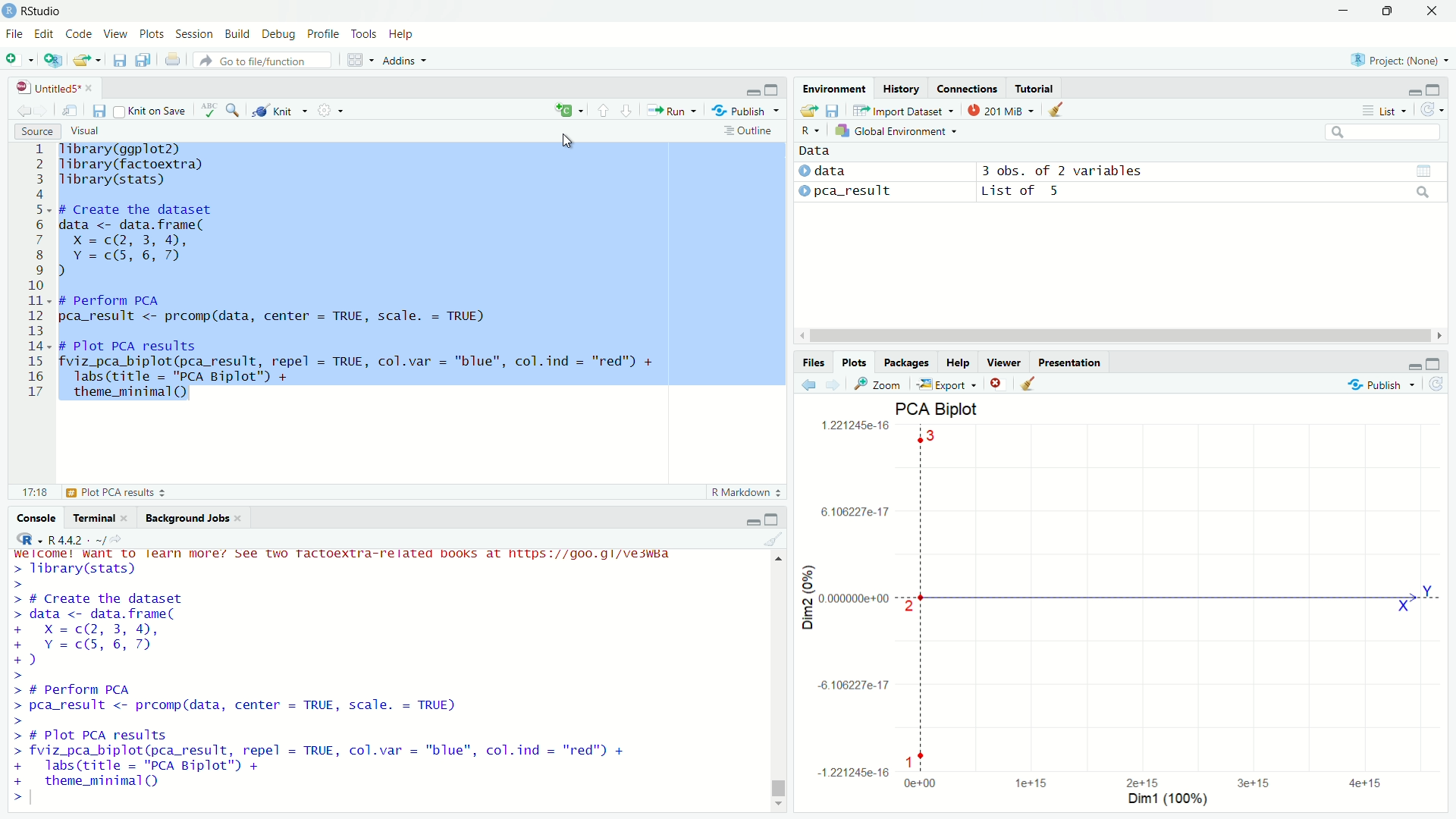 This screenshot has width=1456, height=819. What do you see at coordinates (1384, 110) in the screenshot?
I see `list view` at bounding box center [1384, 110].